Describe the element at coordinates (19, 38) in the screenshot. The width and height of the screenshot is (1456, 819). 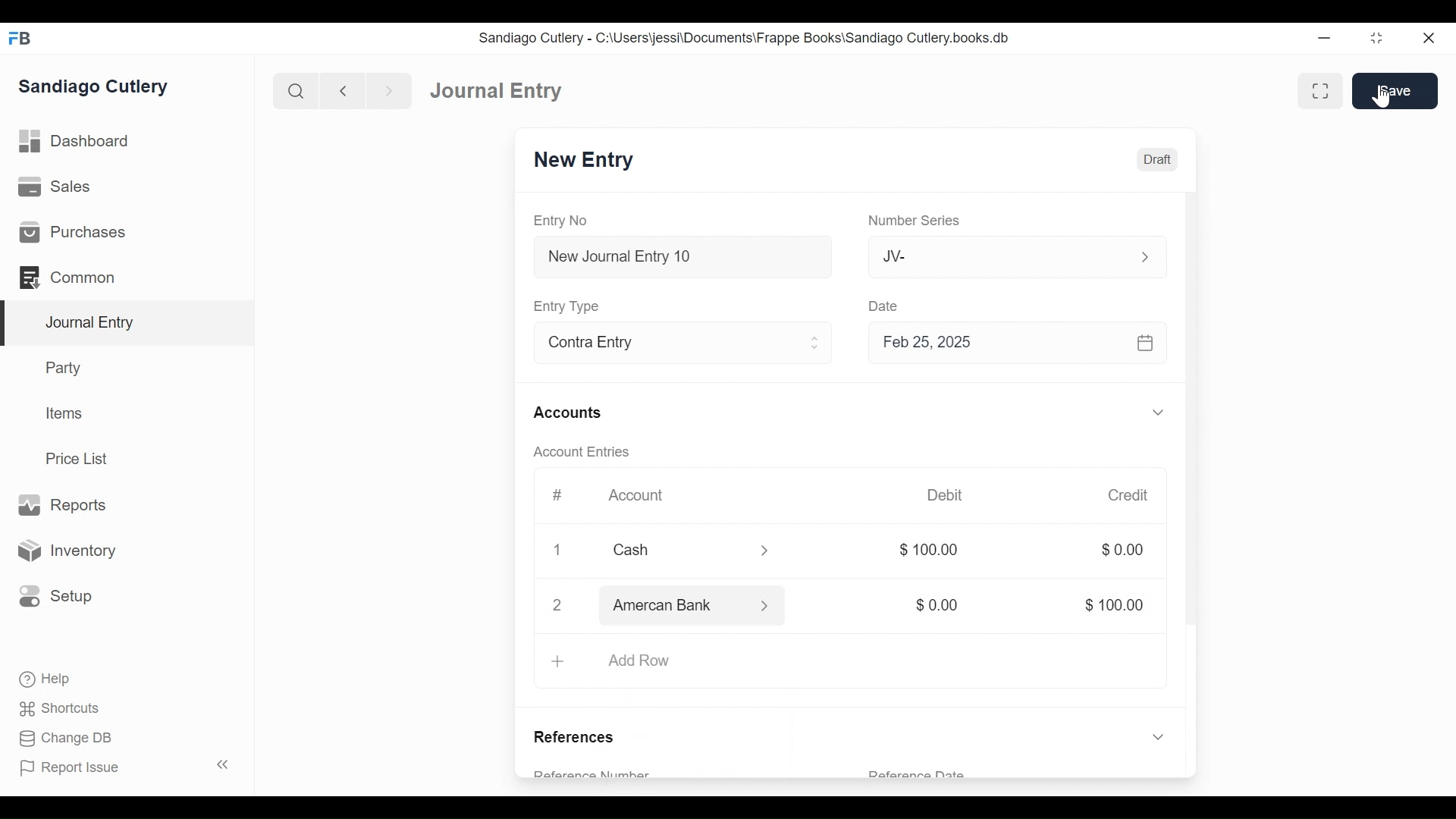
I see `Frappe Books Desktop icon` at that location.